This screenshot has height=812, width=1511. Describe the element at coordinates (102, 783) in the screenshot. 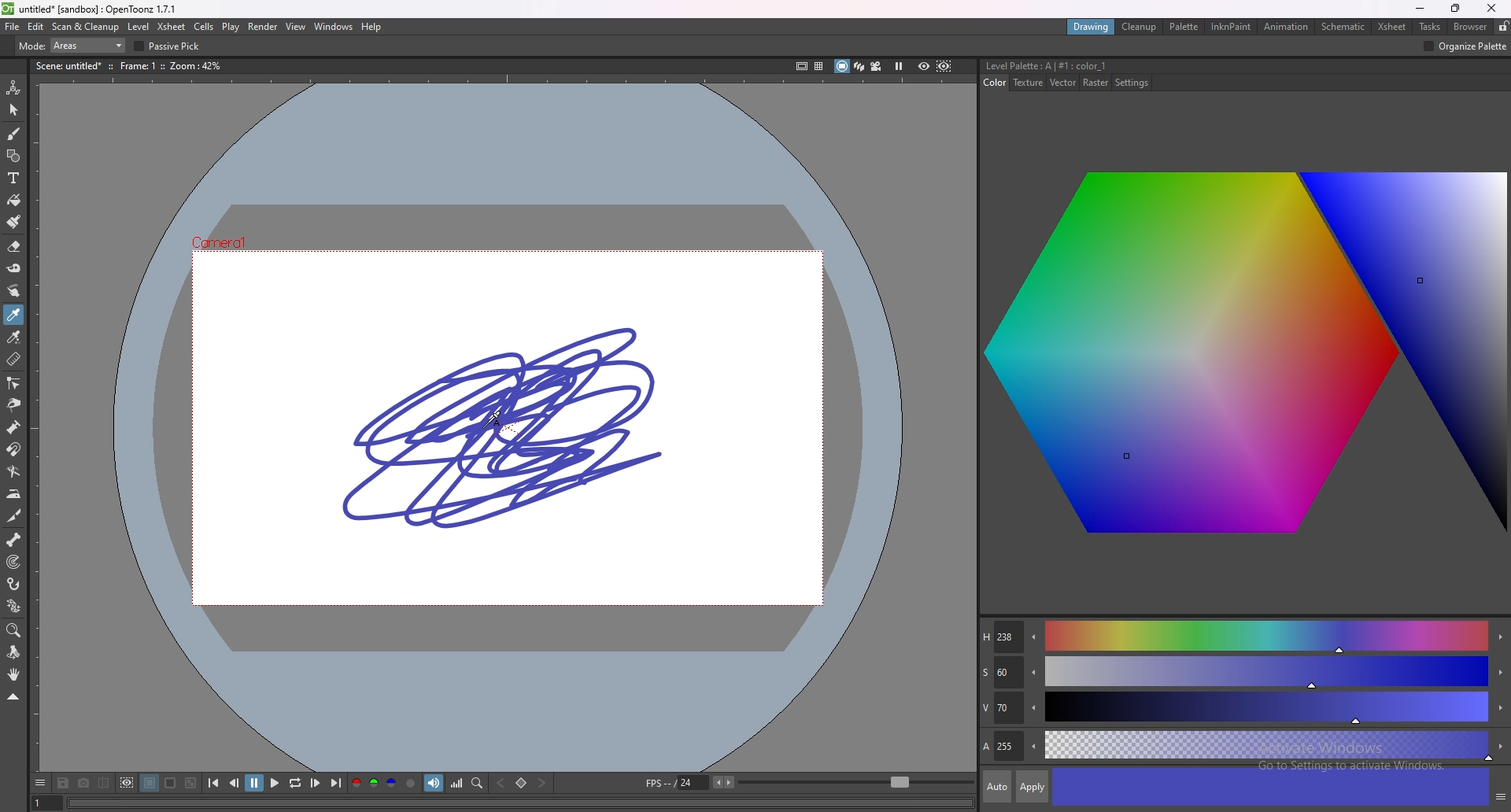

I see `compare to snapshot` at that location.